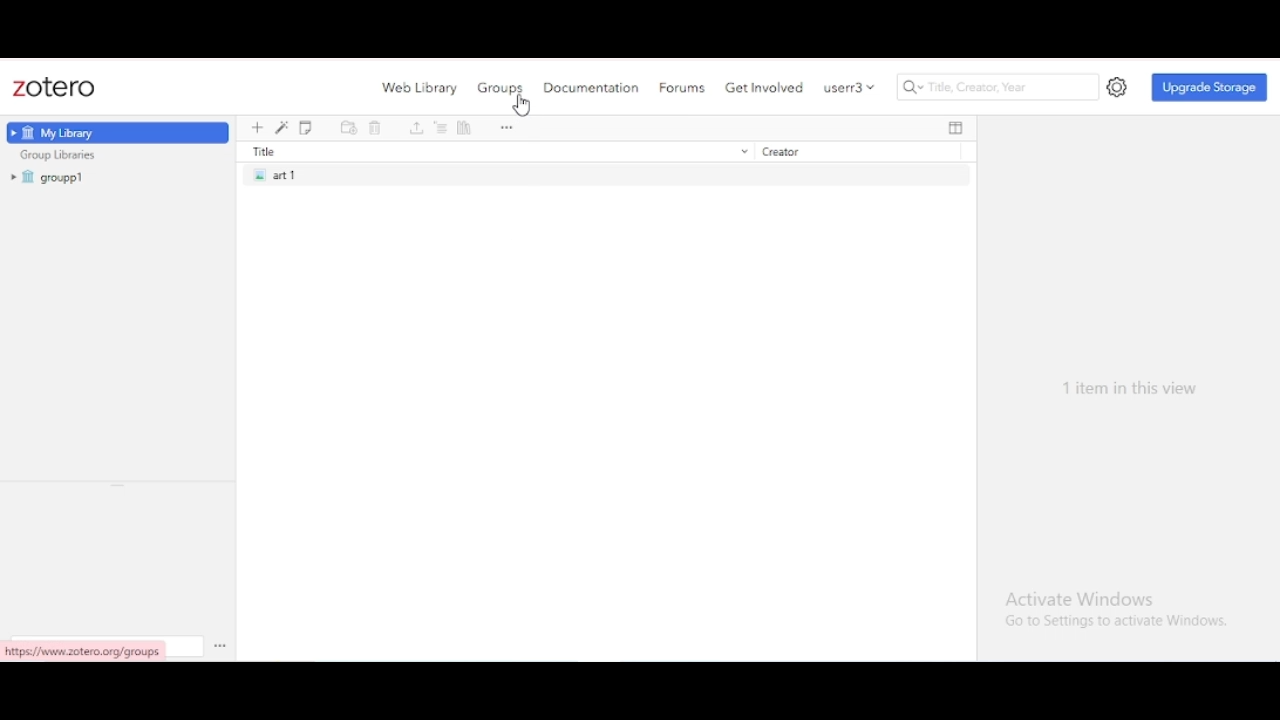  I want to click on more, so click(507, 129).